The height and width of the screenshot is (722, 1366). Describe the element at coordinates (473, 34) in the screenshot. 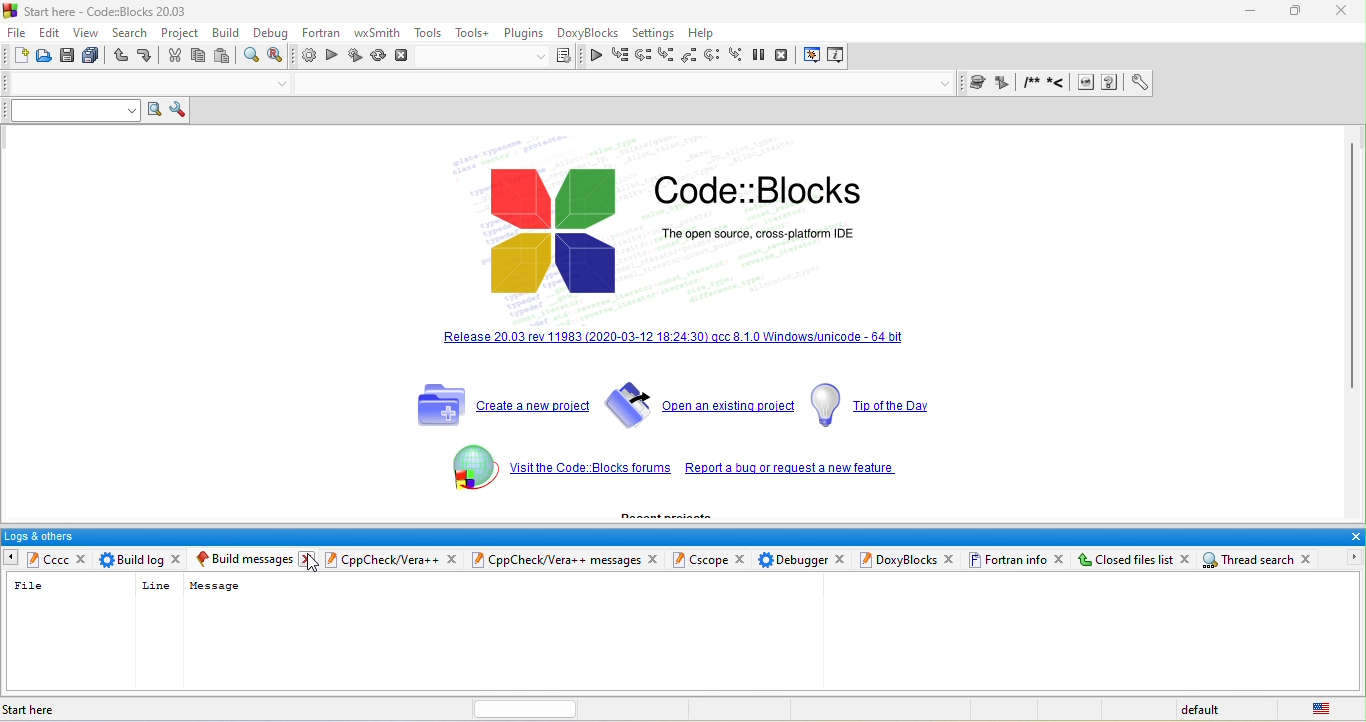

I see `tools+` at that location.